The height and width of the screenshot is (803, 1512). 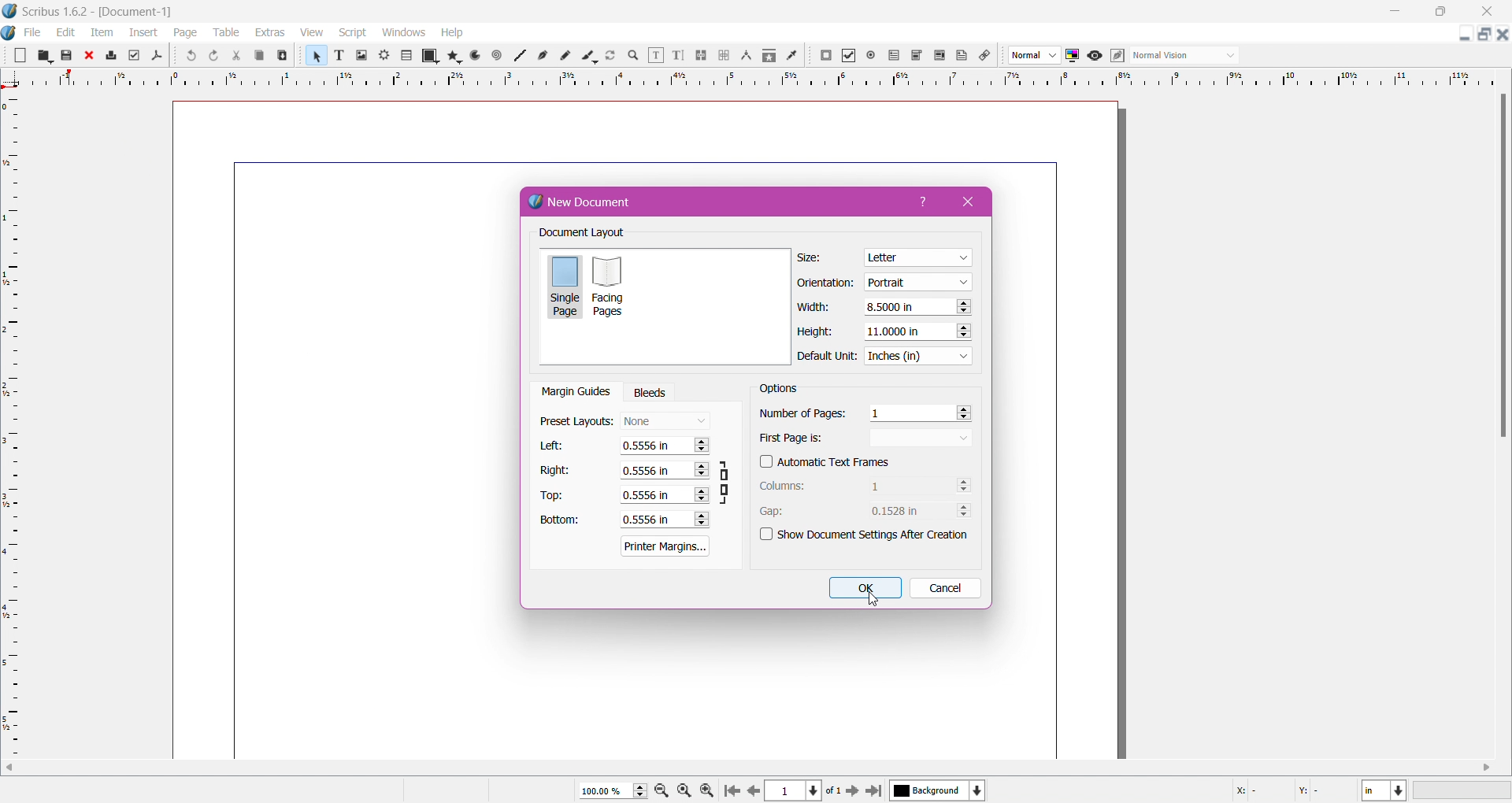 What do you see at coordinates (1458, 35) in the screenshot?
I see `minimize` at bounding box center [1458, 35].